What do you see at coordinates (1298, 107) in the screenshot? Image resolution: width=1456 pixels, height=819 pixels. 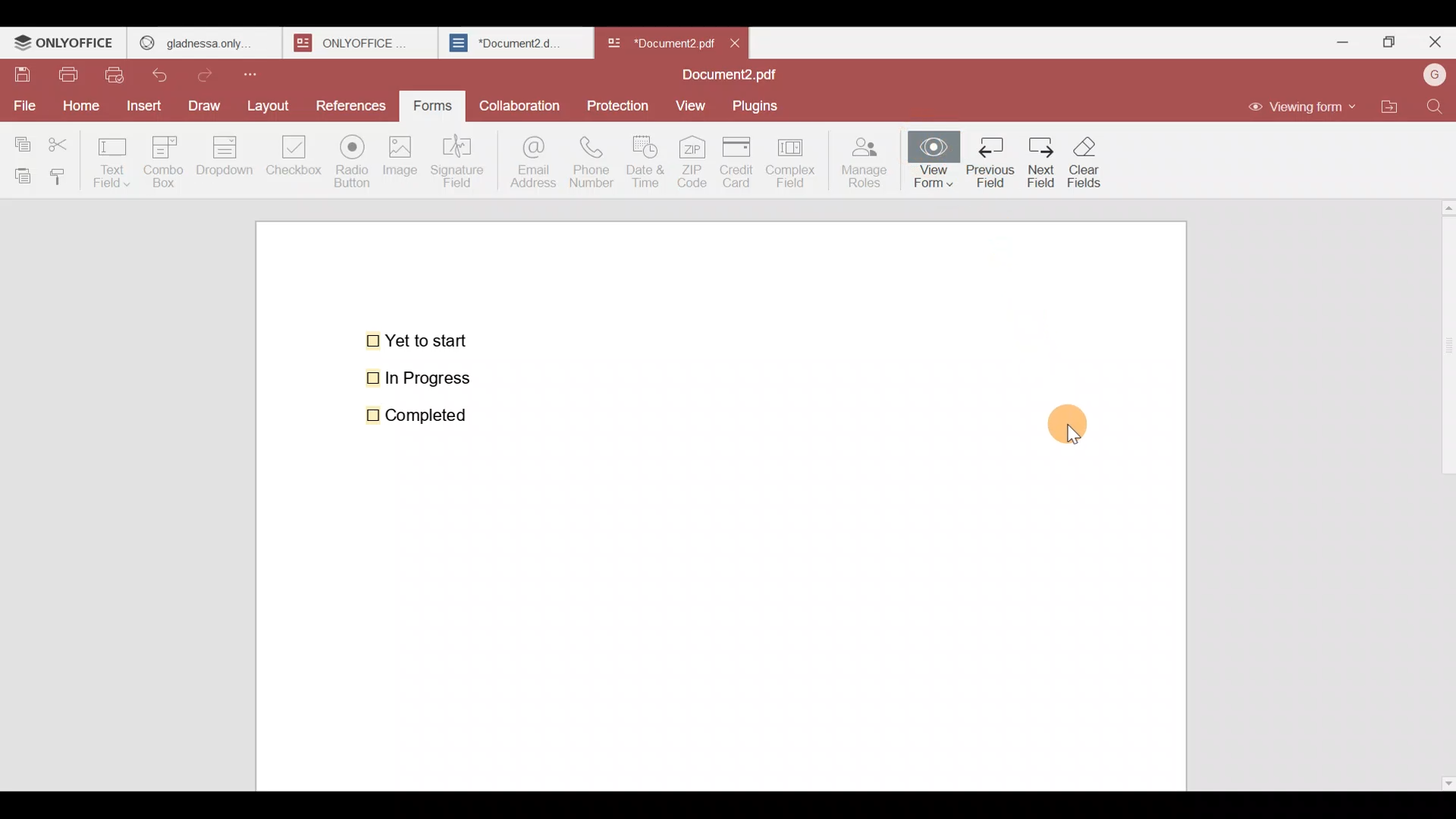 I see `Viewing form` at bounding box center [1298, 107].